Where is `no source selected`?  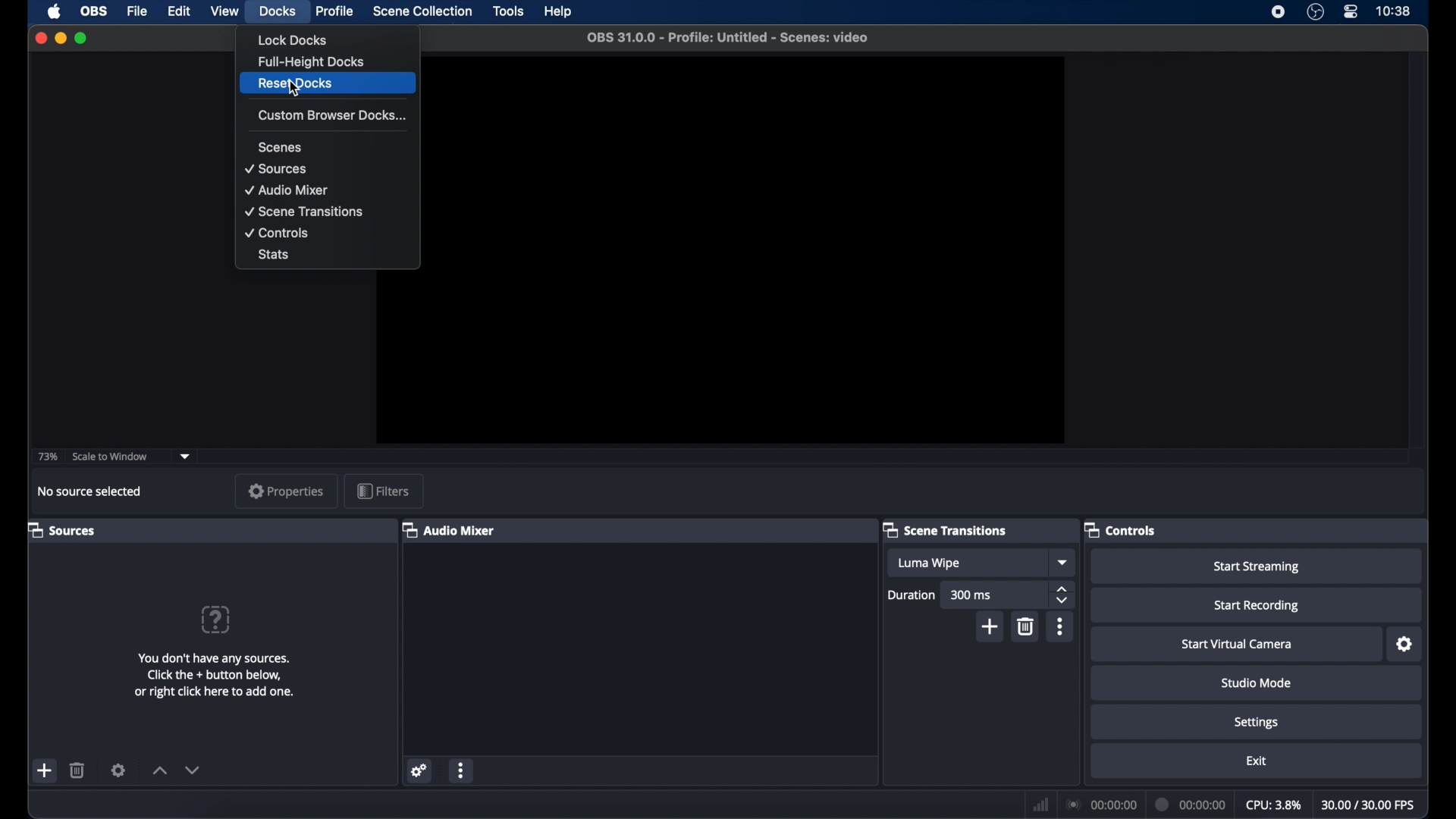 no source selected is located at coordinates (93, 491).